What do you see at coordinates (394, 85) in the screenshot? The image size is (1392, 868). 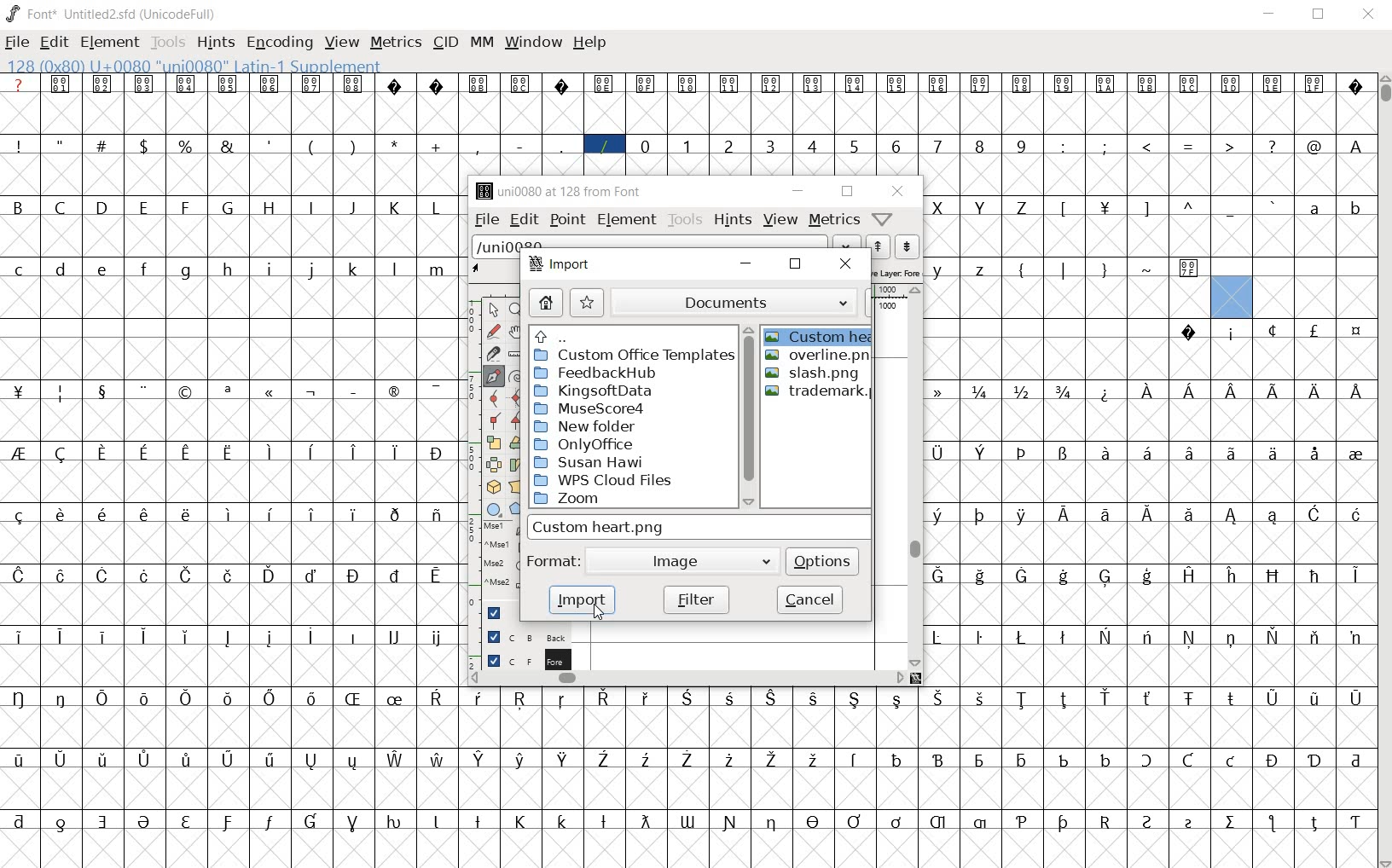 I see `glyph` at bounding box center [394, 85].